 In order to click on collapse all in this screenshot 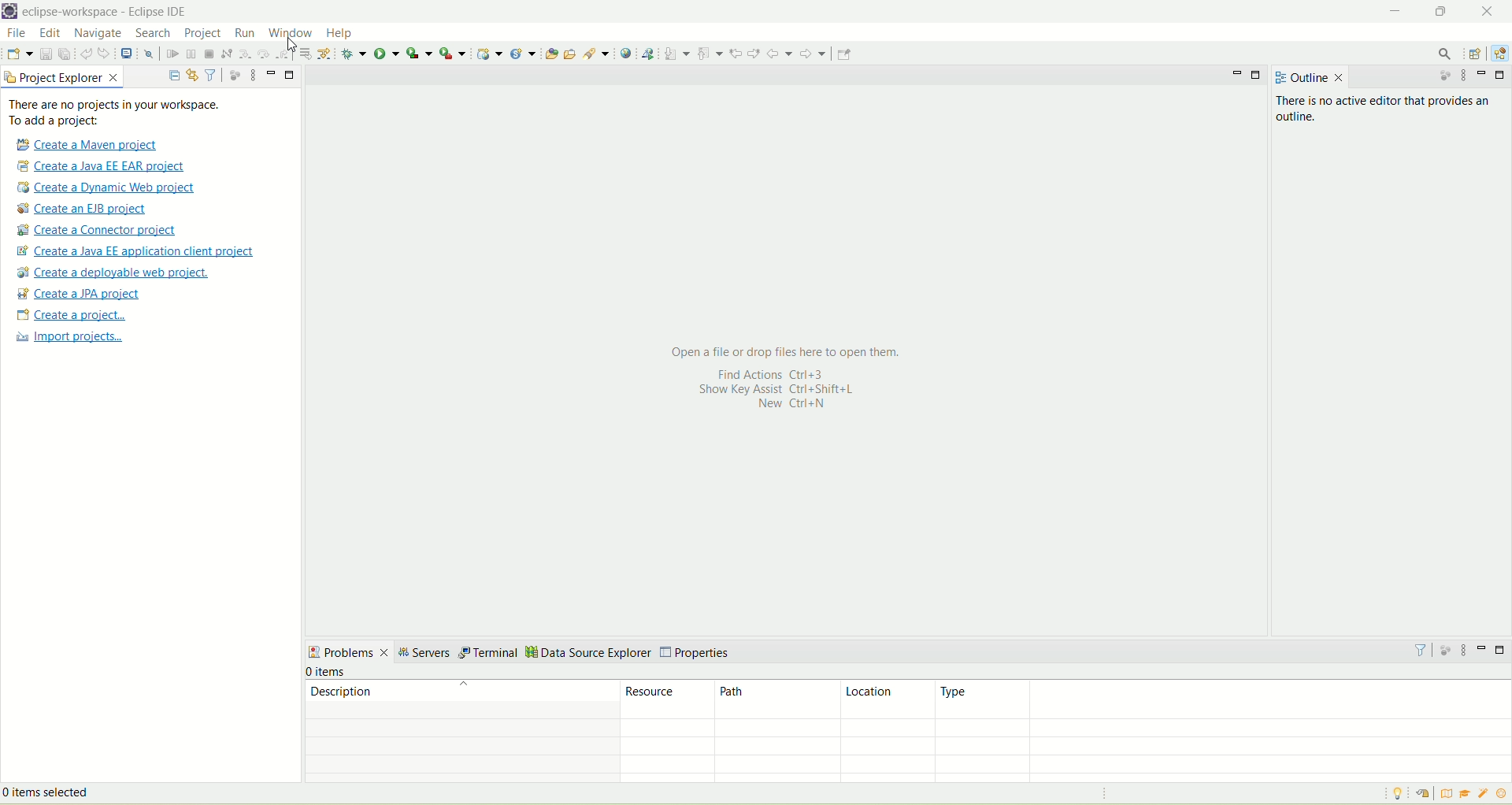, I will do `click(174, 72)`.